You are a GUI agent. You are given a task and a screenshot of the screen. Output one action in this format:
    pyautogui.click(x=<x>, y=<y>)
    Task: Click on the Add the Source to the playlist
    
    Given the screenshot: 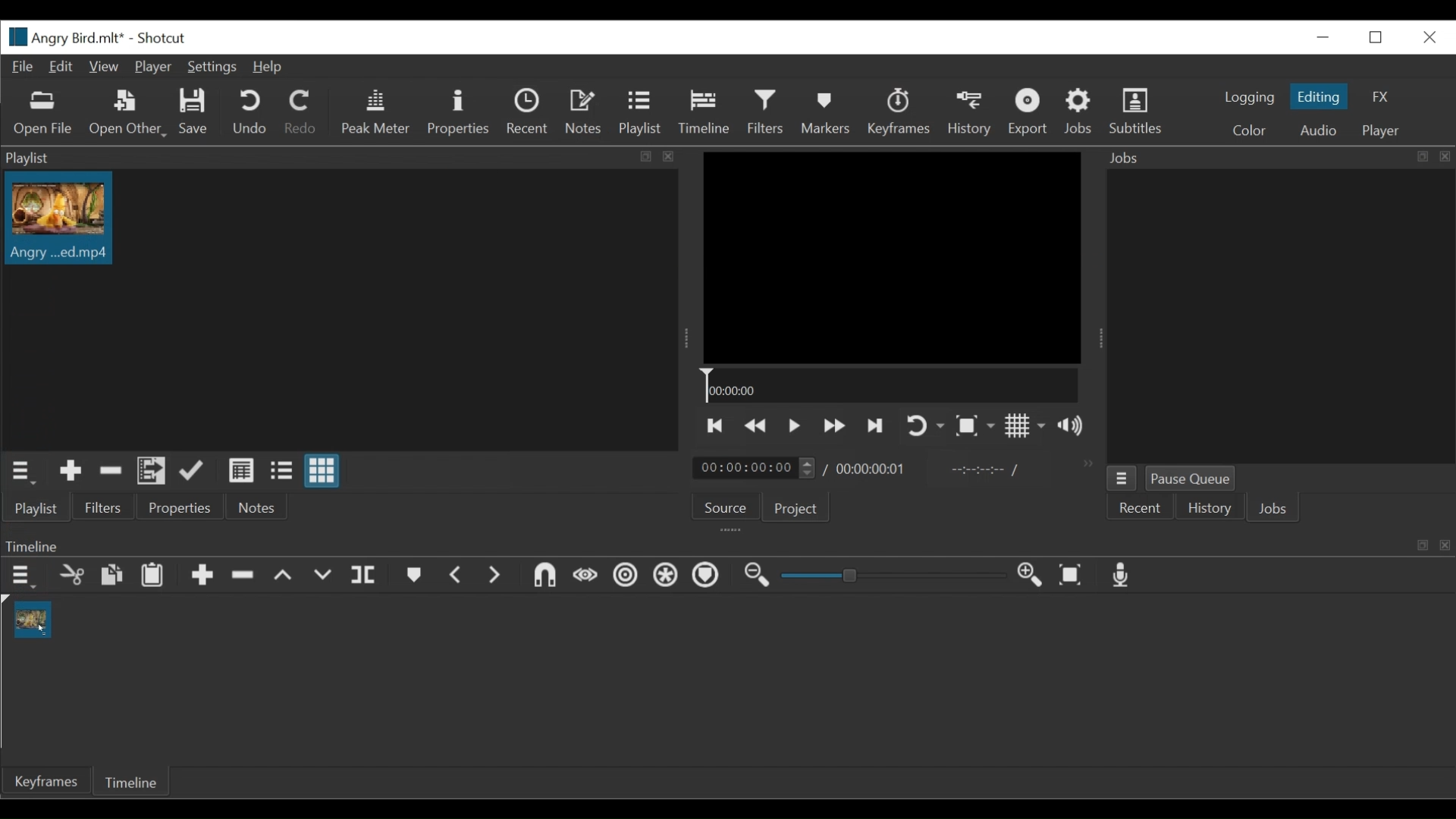 What is the action you would take?
    pyautogui.click(x=69, y=471)
    